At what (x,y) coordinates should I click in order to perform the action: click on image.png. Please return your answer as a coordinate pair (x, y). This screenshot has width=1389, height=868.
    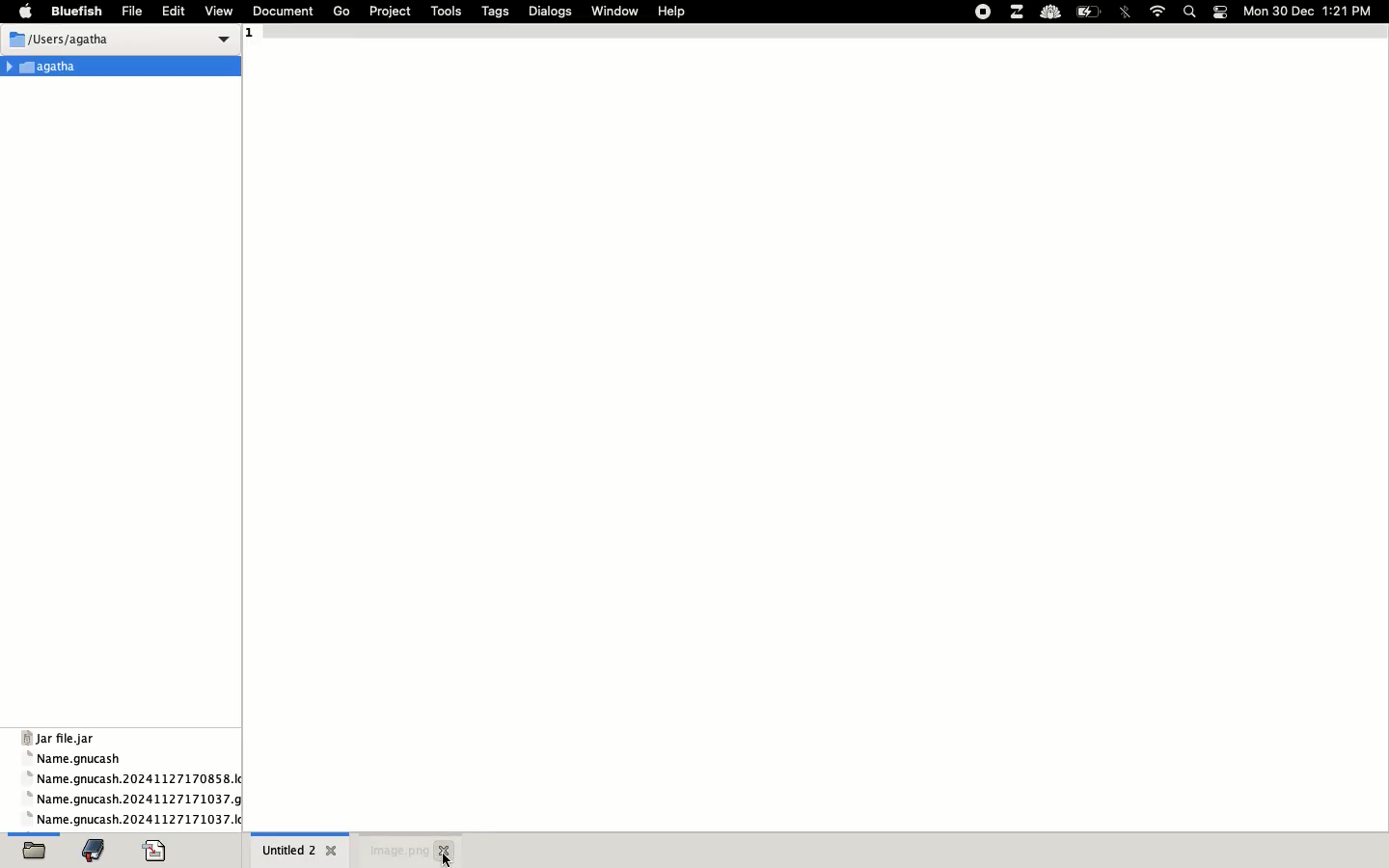
    Looking at the image, I should click on (400, 852).